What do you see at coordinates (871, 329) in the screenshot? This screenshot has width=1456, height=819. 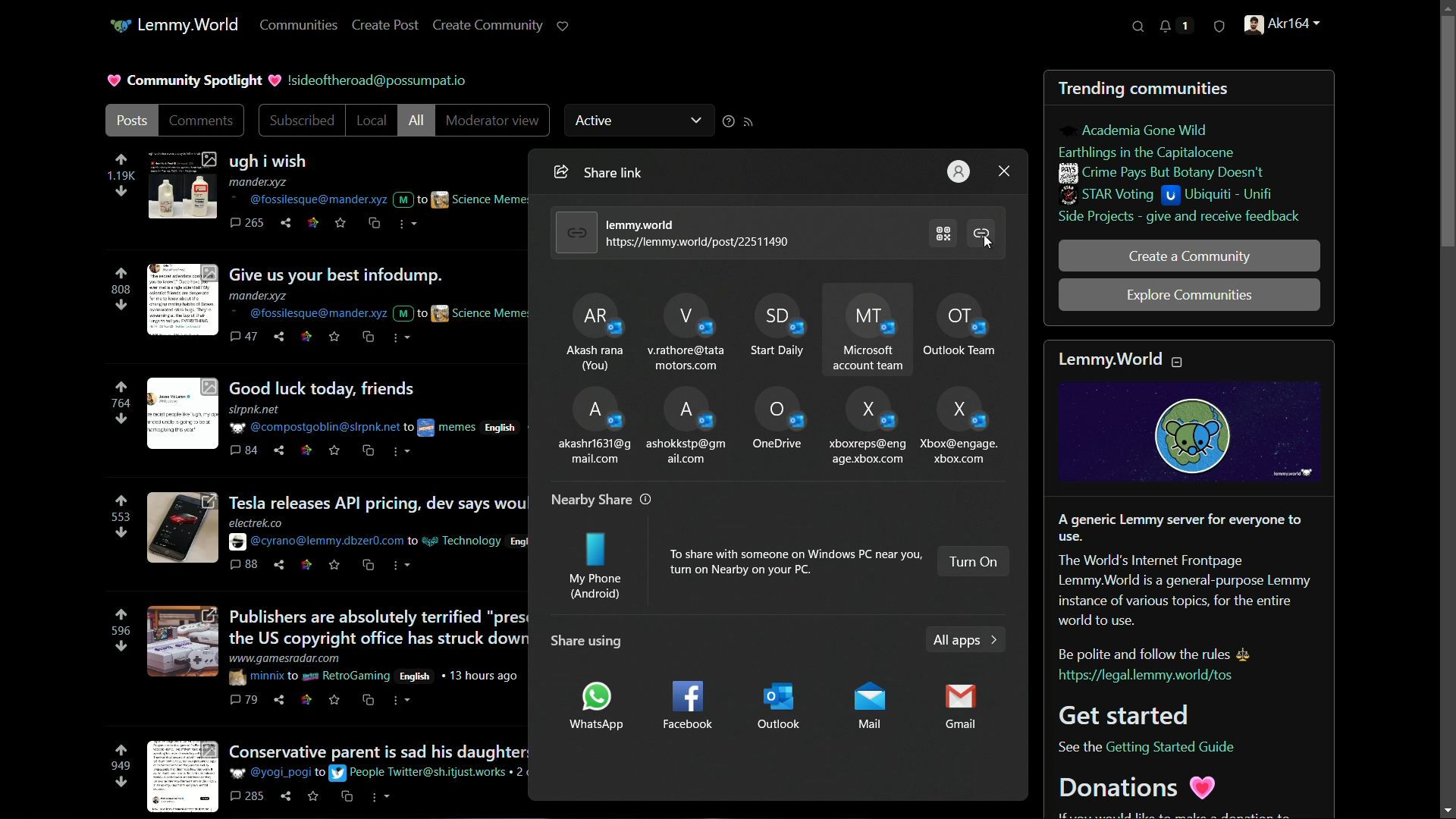 I see `microsoft account team` at bounding box center [871, 329].